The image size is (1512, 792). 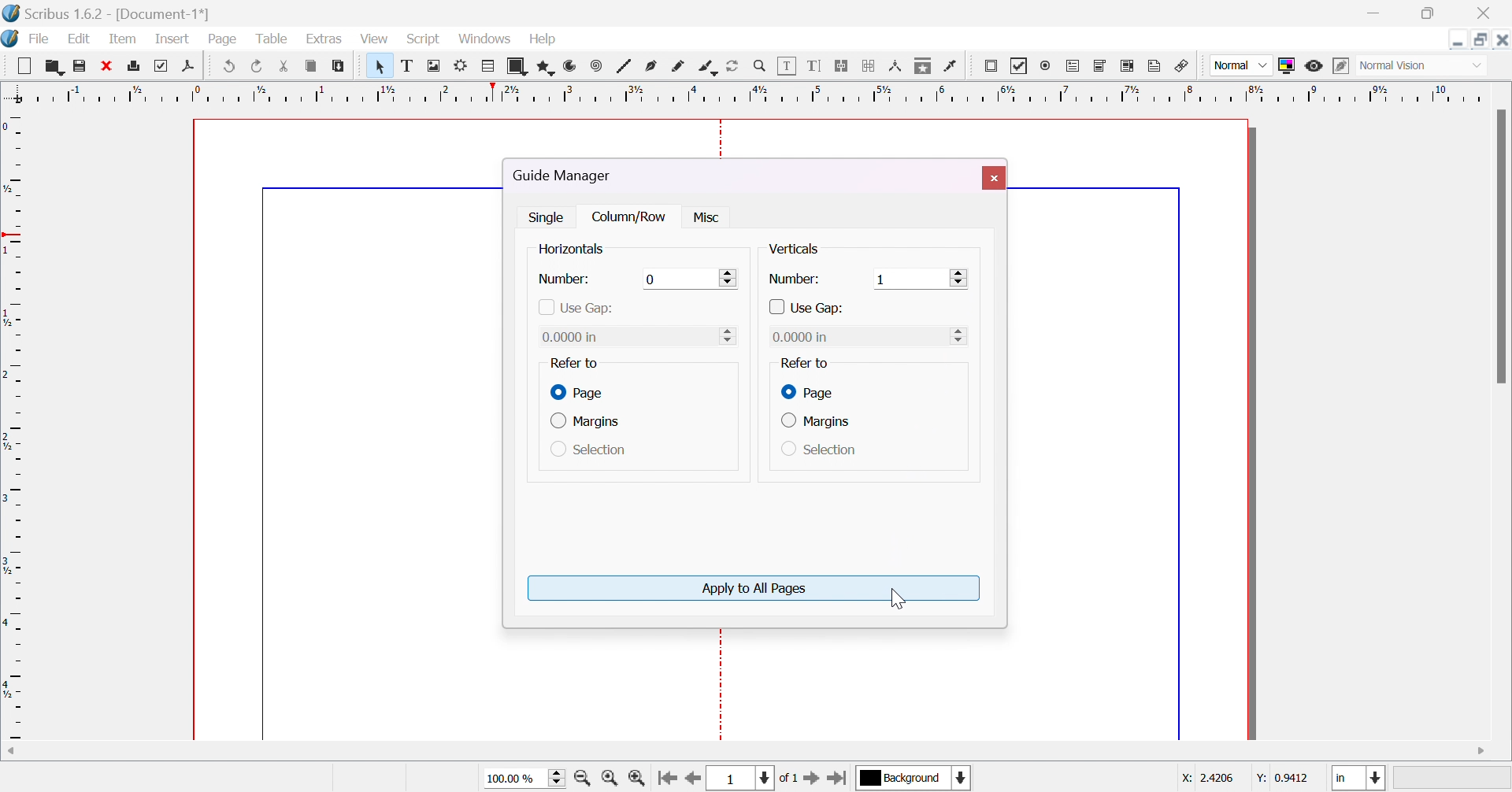 I want to click on rotate item, so click(x=732, y=67).